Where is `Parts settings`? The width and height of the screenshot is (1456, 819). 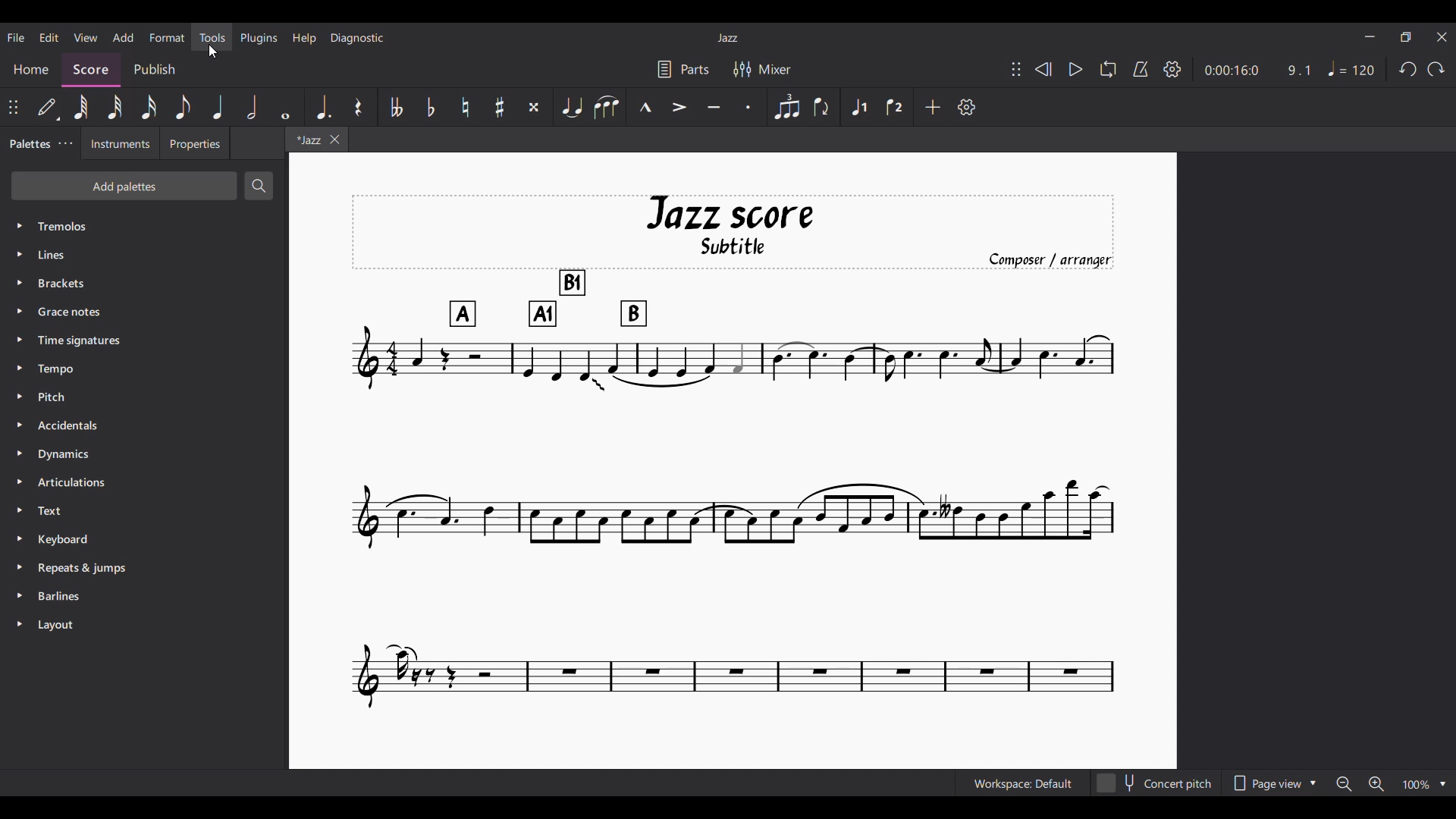
Parts settings is located at coordinates (683, 69).